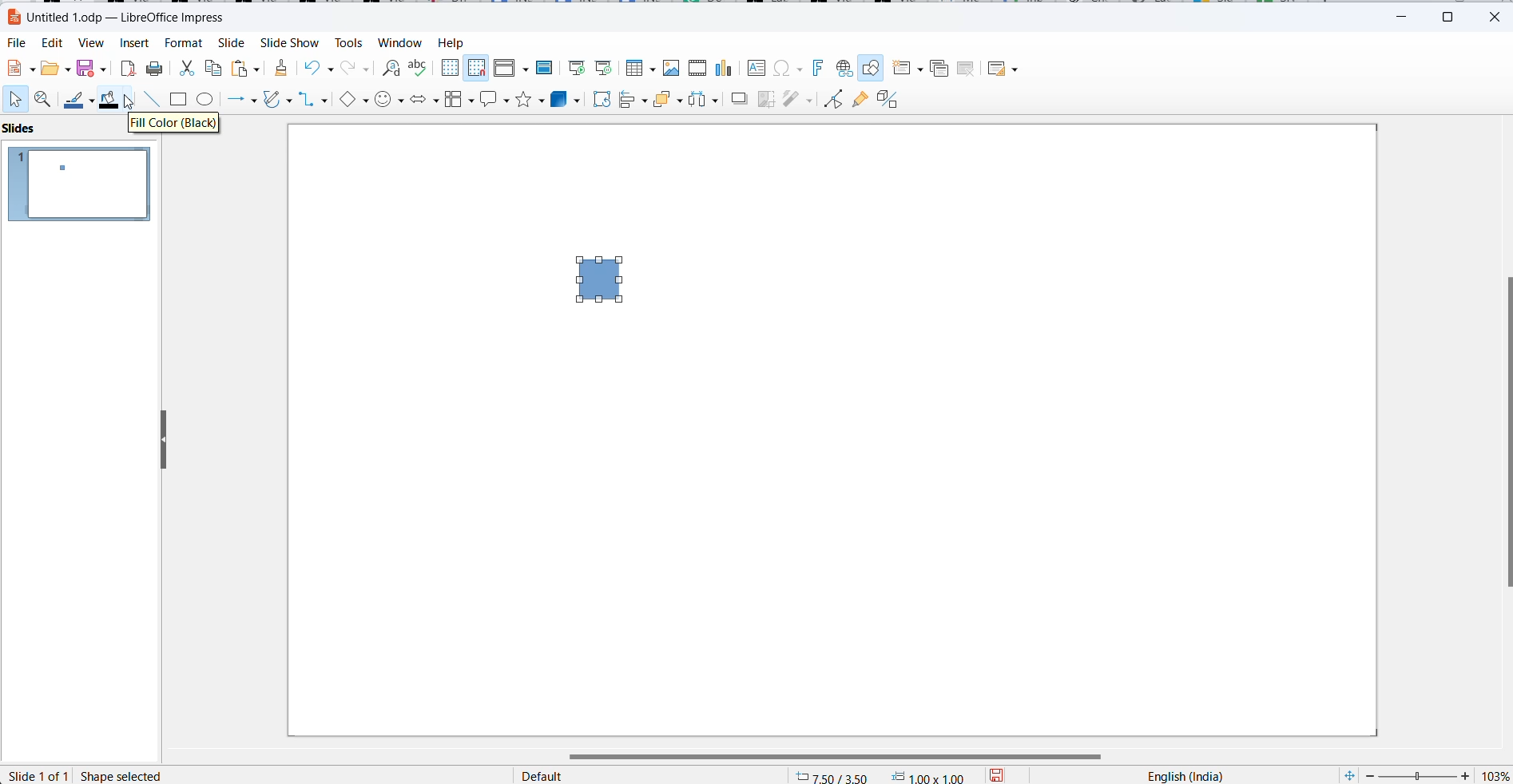 Image resolution: width=1513 pixels, height=784 pixels. What do you see at coordinates (510, 66) in the screenshot?
I see `Display views` at bounding box center [510, 66].